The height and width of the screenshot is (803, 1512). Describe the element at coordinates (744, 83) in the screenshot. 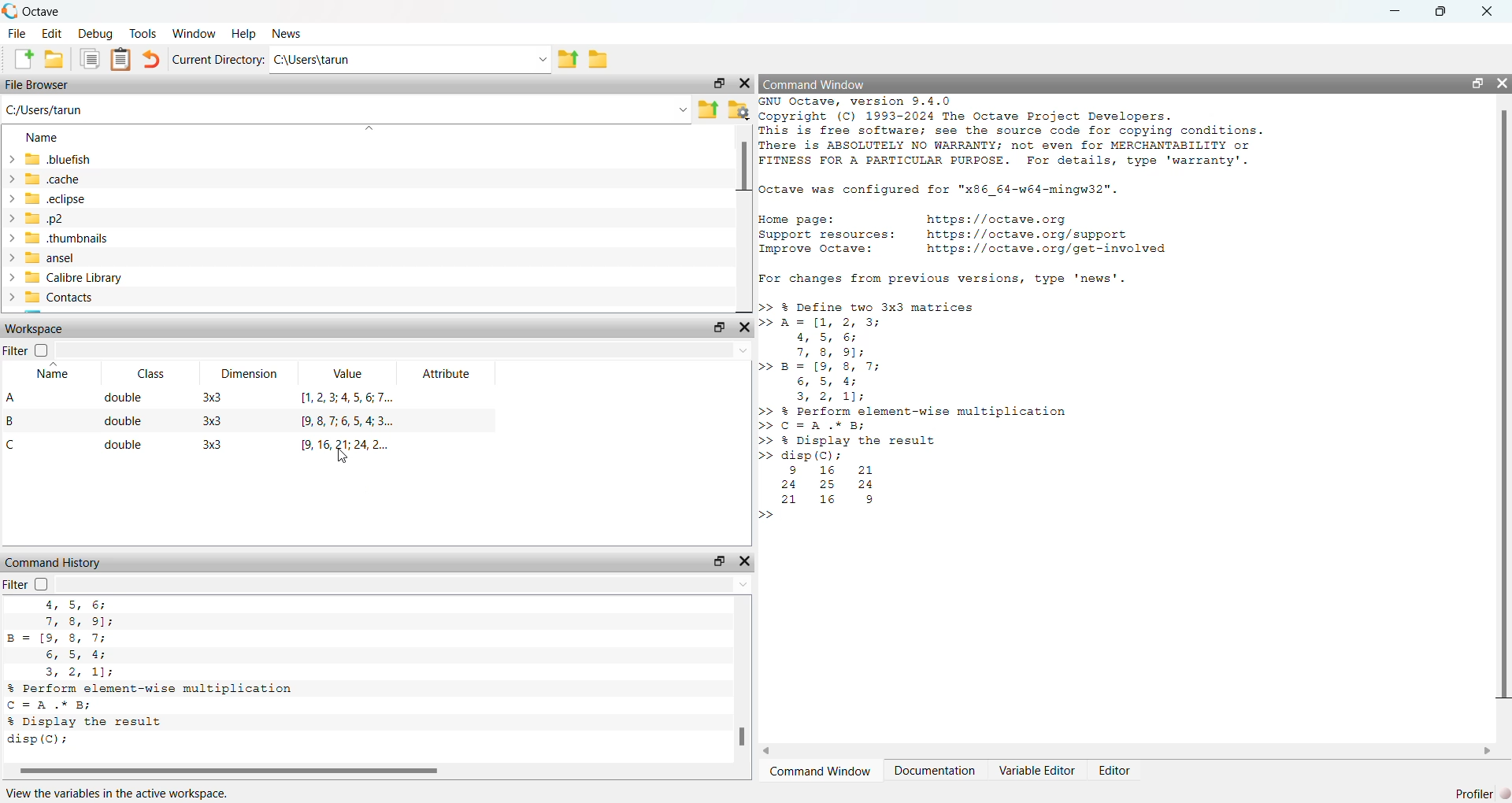

I see `Close` at that location.